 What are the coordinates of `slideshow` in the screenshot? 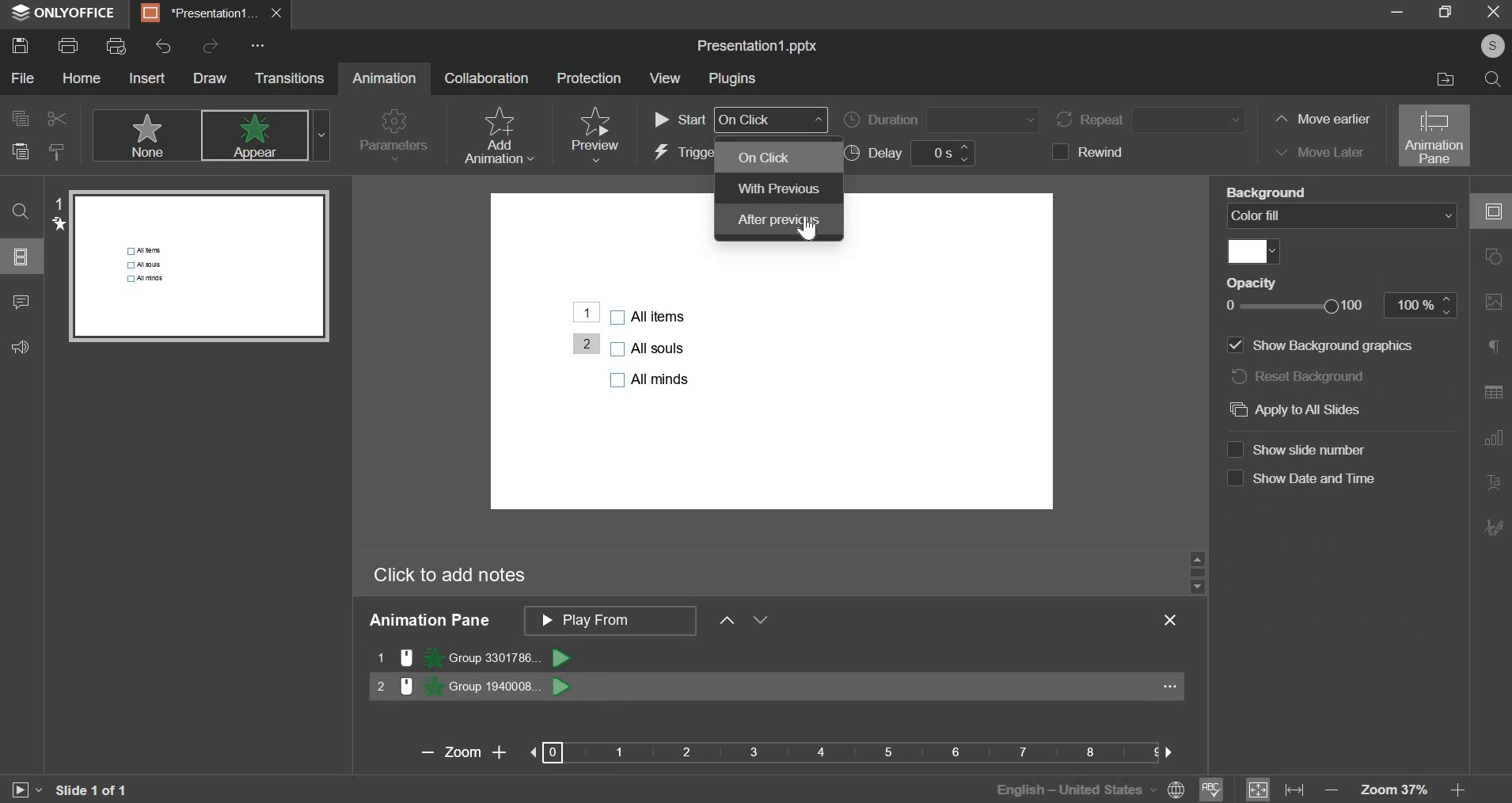 It's located at (25, 788).